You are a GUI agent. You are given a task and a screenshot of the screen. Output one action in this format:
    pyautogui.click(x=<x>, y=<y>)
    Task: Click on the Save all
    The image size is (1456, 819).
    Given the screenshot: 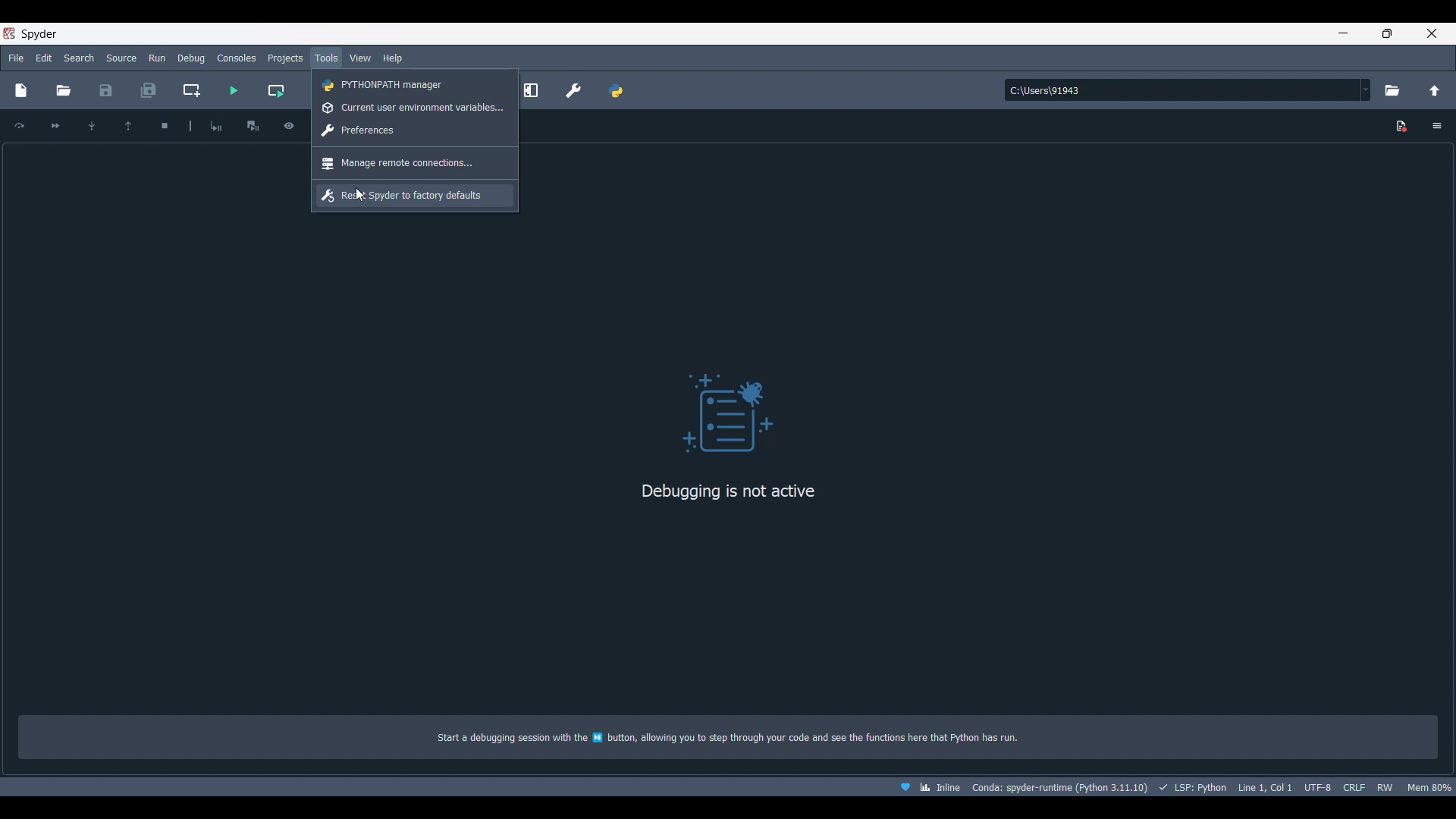 What is the action you would take?
    pyautogui.click(x=149, y=90)
    